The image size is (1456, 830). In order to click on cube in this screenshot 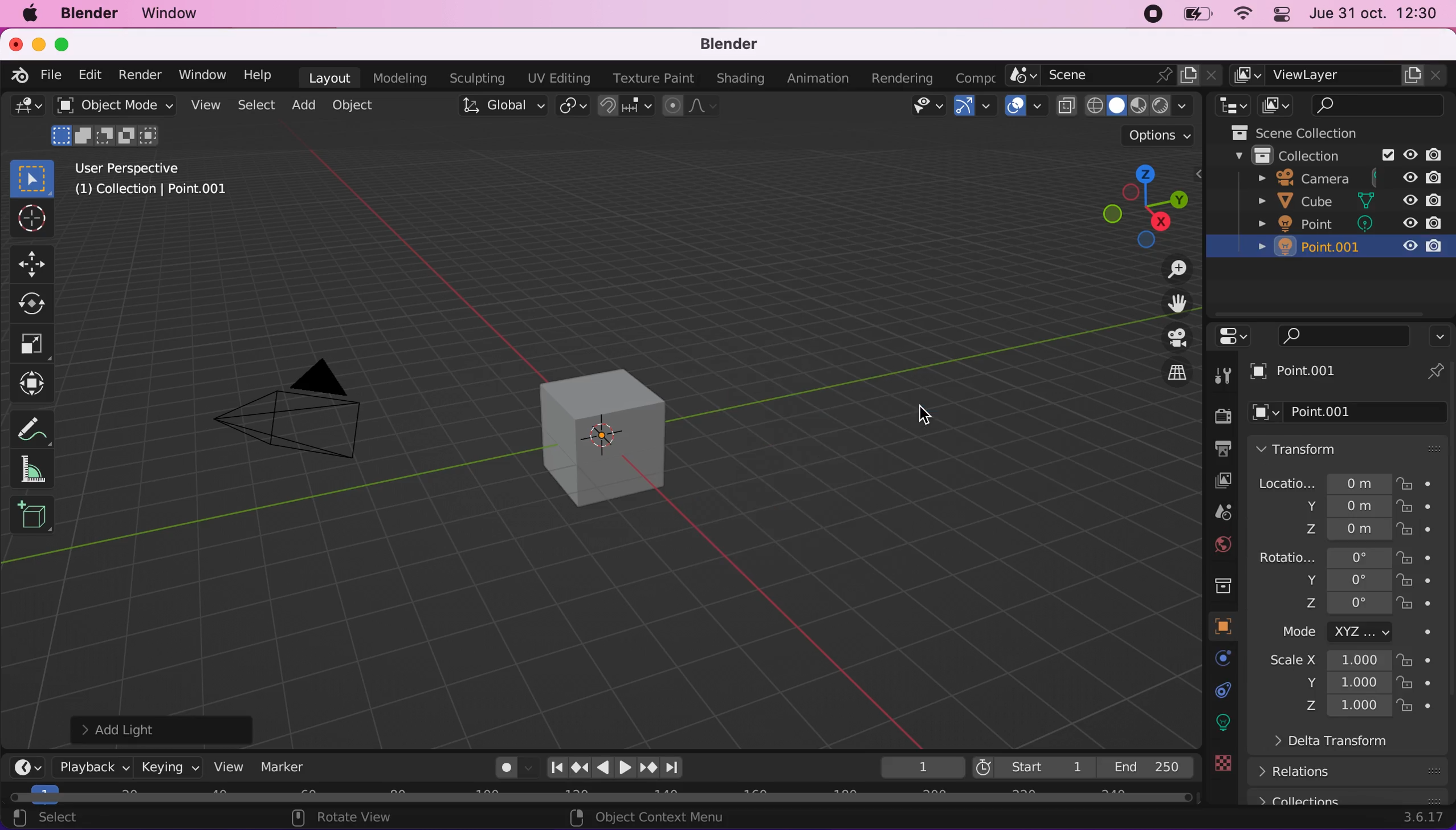, I will do `click(1298, 202)`.